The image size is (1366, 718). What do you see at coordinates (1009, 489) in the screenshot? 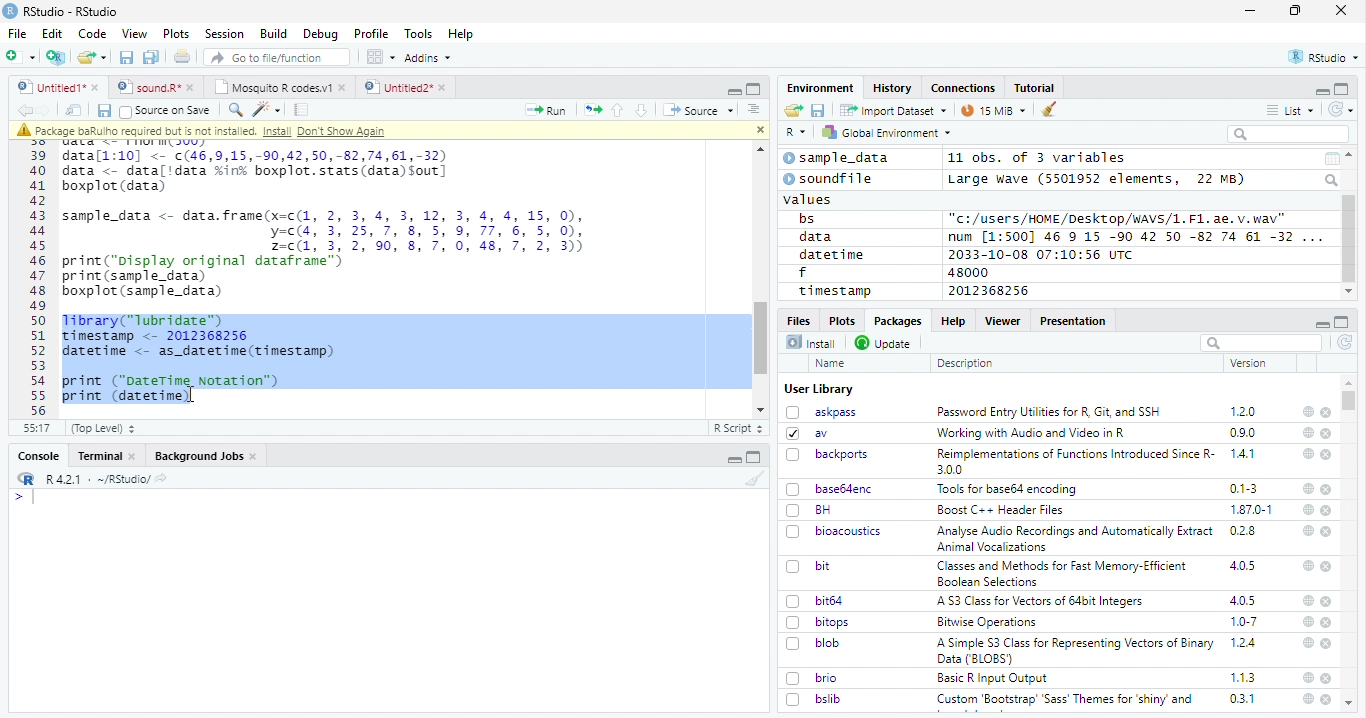
I see `Tools for baseb4 encoding` at bounding box center [1009, 489].